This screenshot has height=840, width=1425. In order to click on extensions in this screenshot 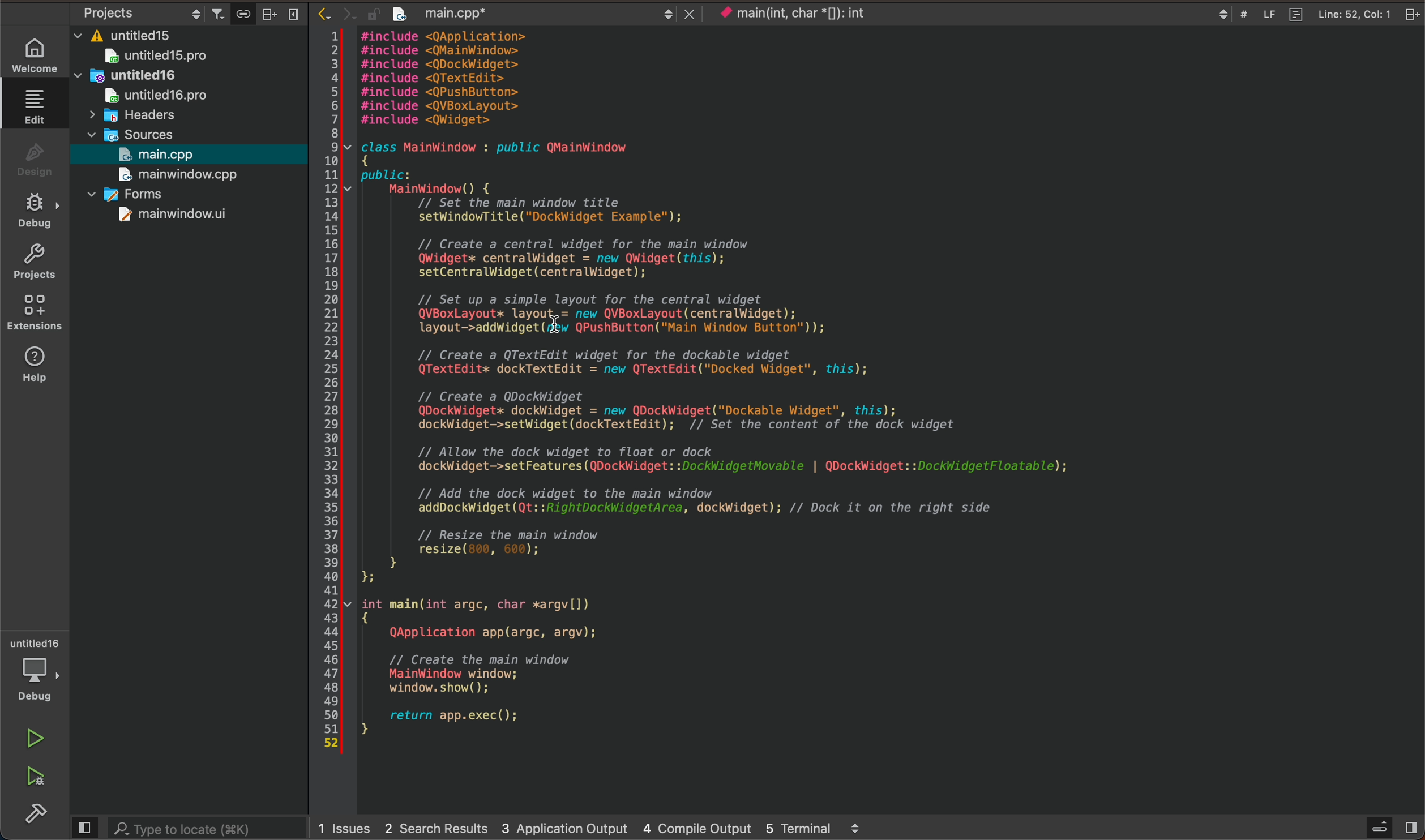, I will do `click(35, 314)`.